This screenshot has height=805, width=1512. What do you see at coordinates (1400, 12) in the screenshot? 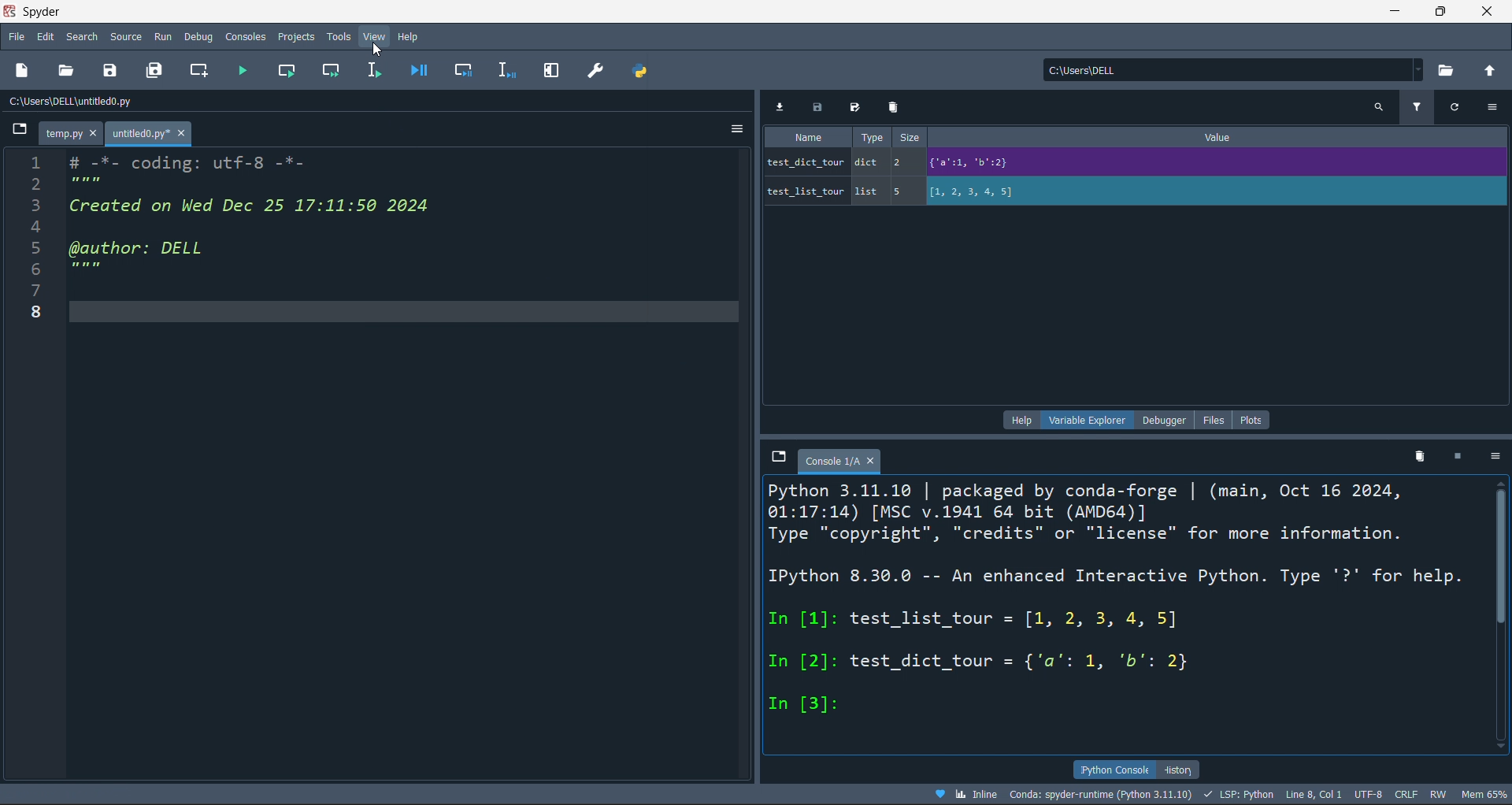
I see `minimize` at bounding box center [1400, 12].